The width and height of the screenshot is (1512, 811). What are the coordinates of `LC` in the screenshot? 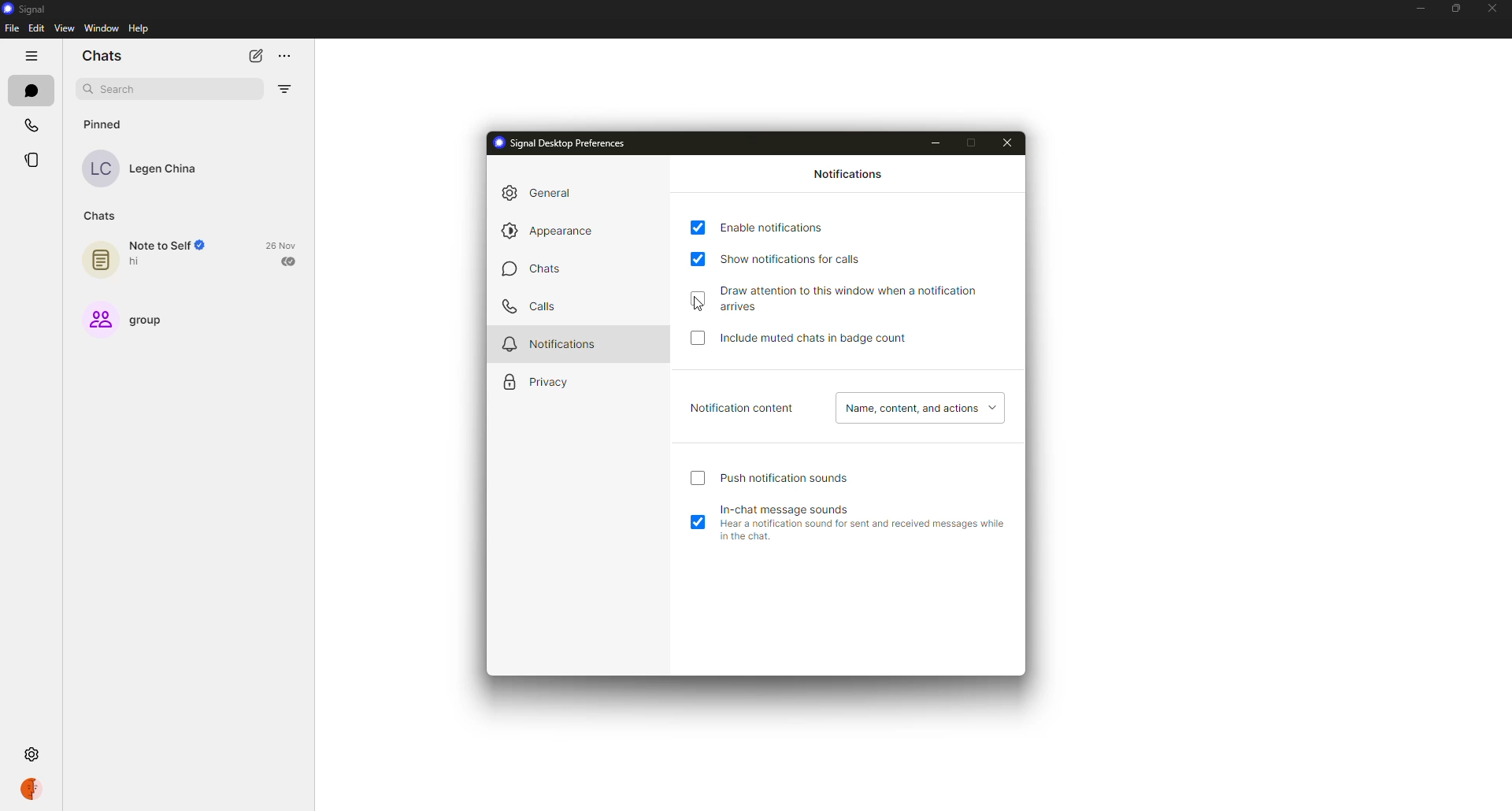 It's located at (105, 170).